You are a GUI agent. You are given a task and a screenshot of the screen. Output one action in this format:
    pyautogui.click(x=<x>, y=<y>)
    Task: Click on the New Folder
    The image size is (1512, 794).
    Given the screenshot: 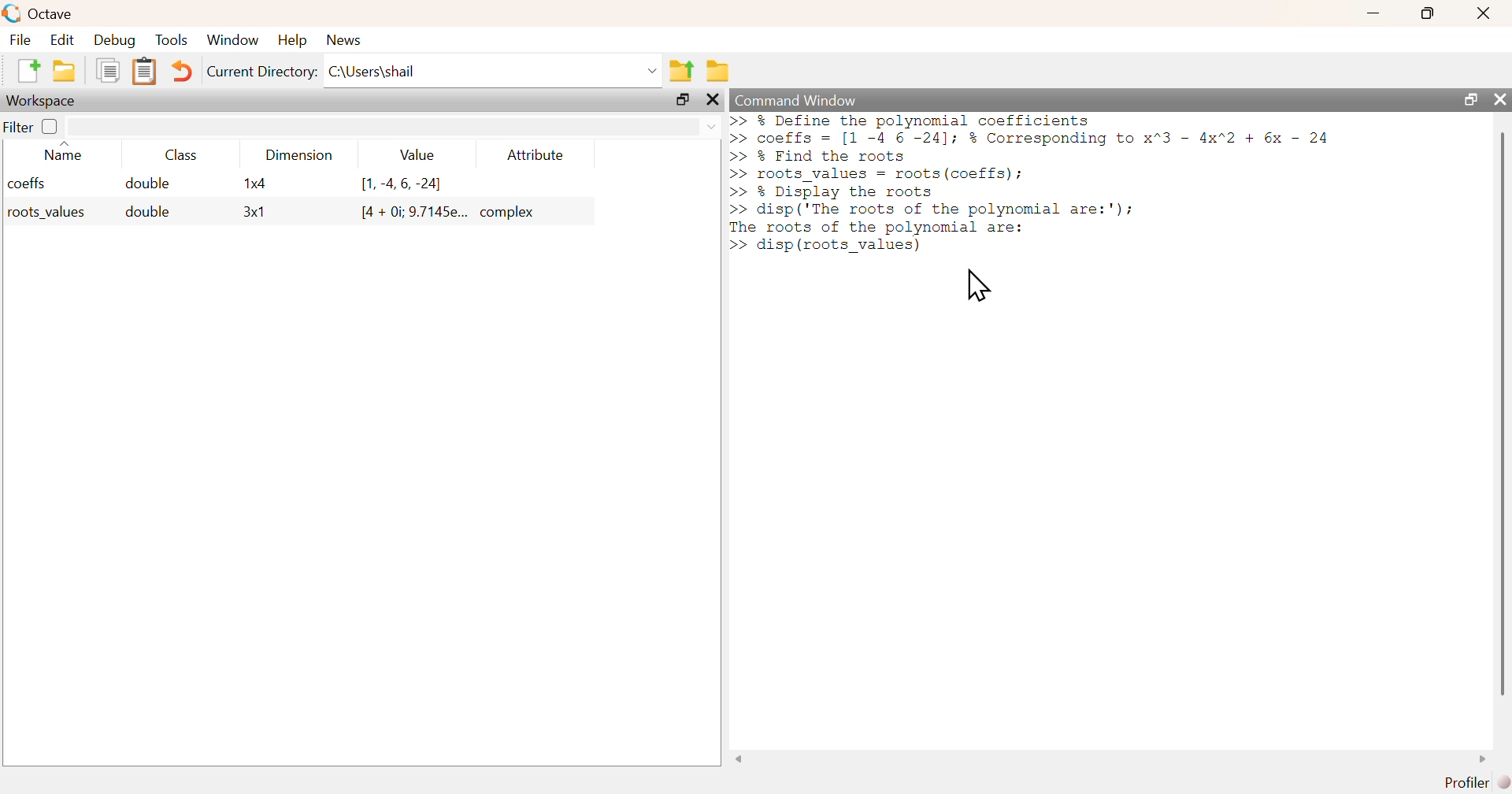 What is the action you would take?
    pyautogui.click(x=64, y=71)
    